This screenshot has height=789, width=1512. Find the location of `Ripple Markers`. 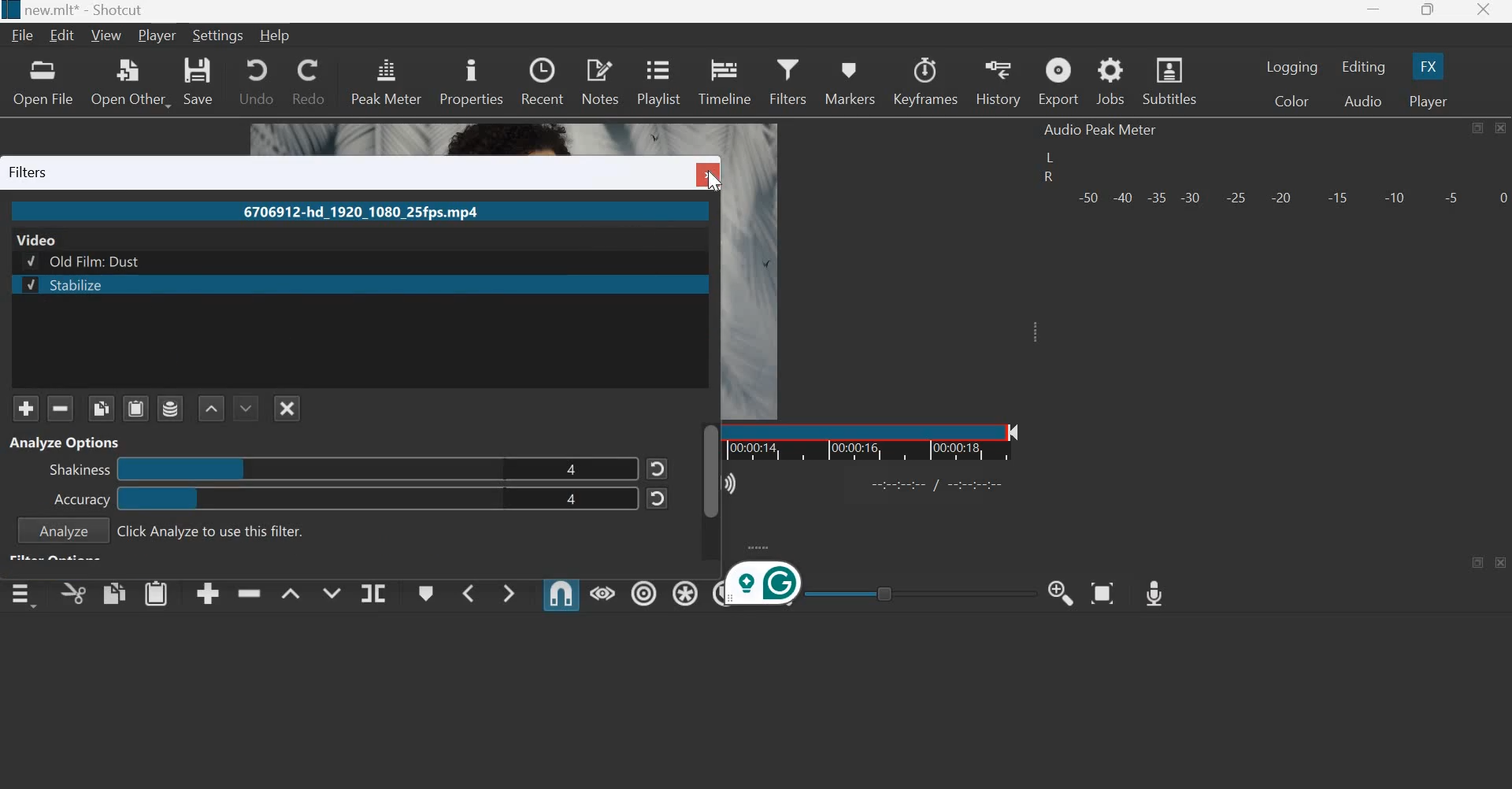

Ripple Markers is located at coordinates (716, 595).